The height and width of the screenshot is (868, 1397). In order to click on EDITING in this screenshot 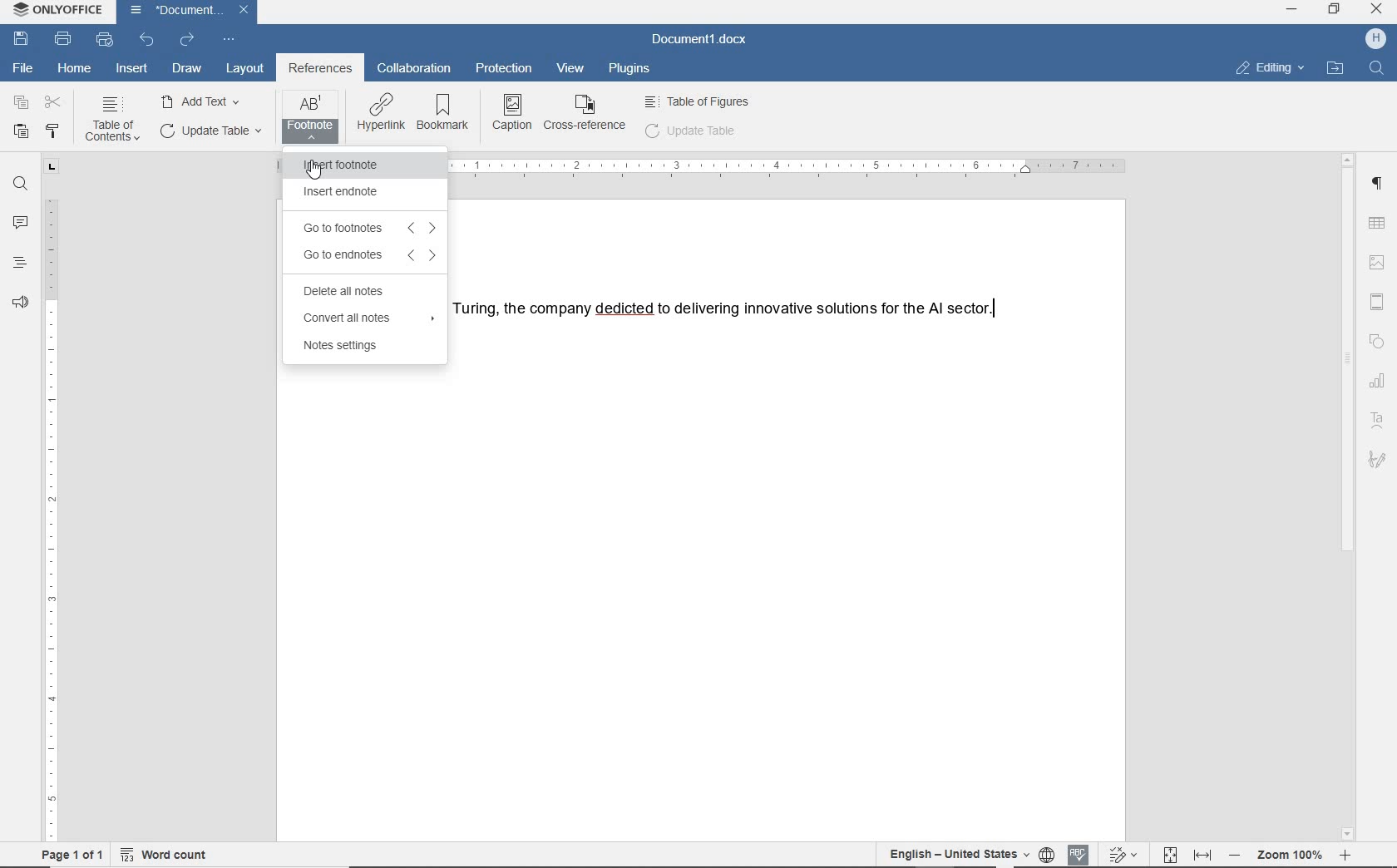, I will do `click(1269, 68)`.